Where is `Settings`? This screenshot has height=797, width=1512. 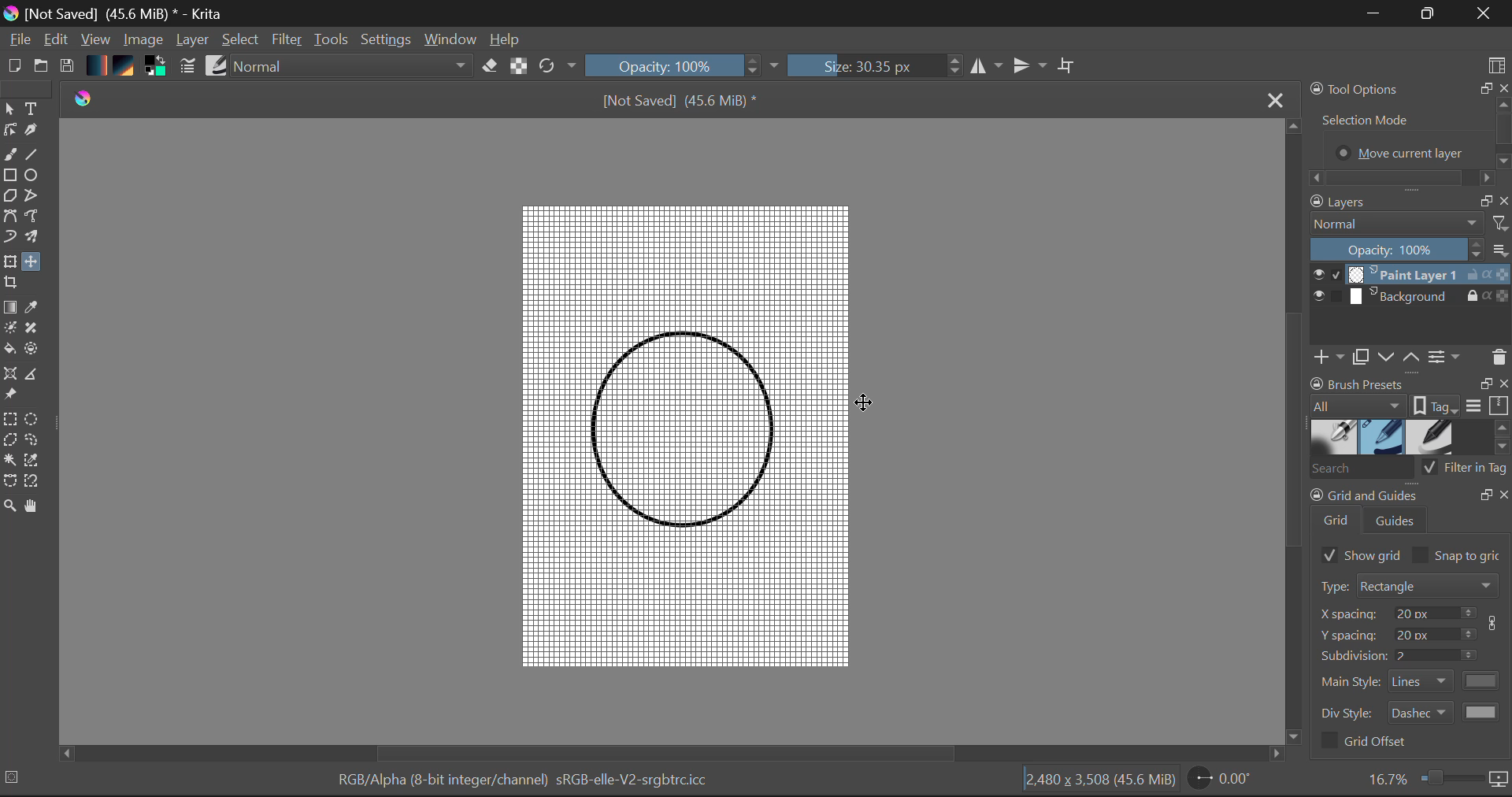 Settings is located at coordinates (387, 42).